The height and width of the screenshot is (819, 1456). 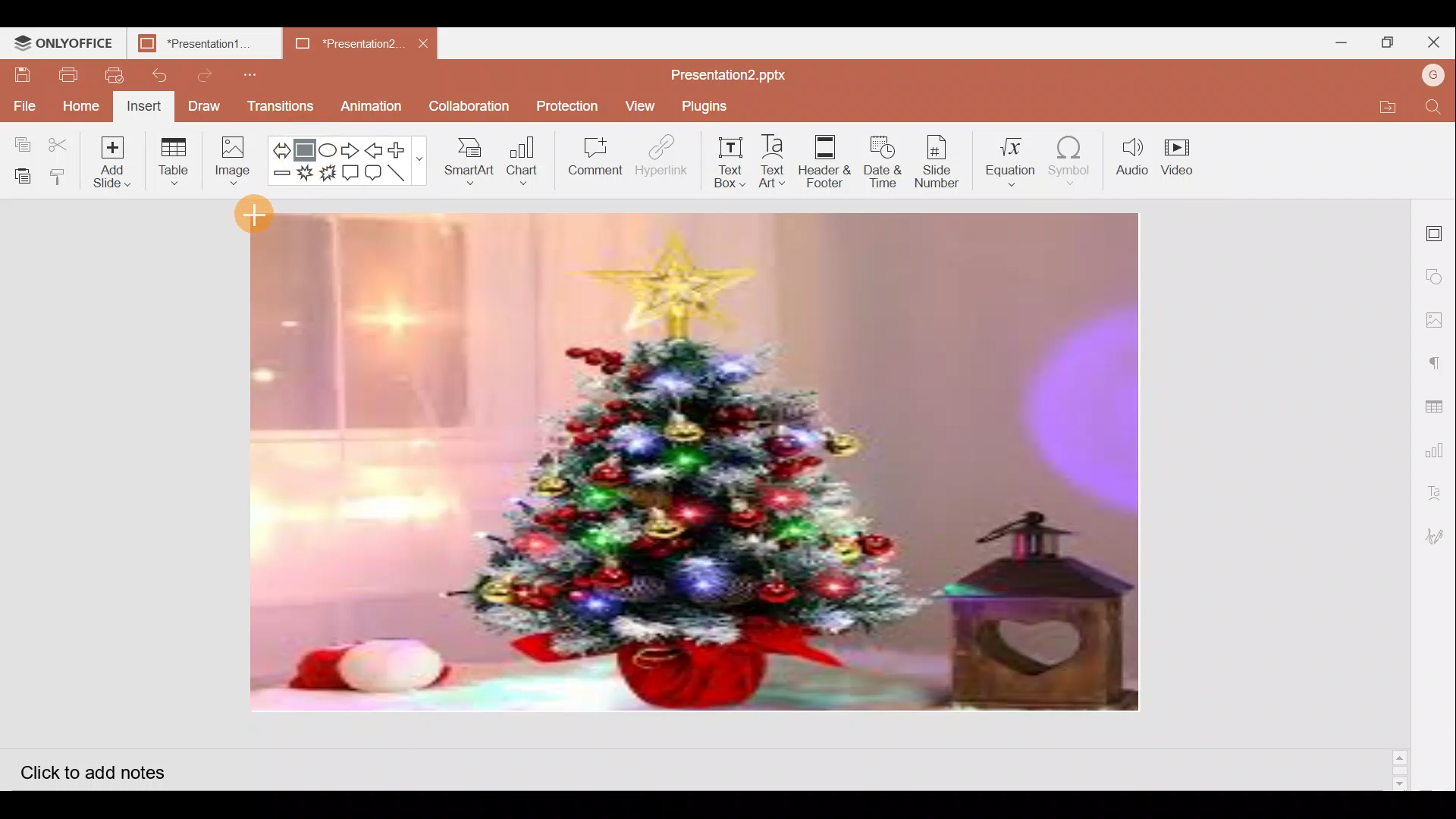 I want to click on View, so click(x=638, y=106).